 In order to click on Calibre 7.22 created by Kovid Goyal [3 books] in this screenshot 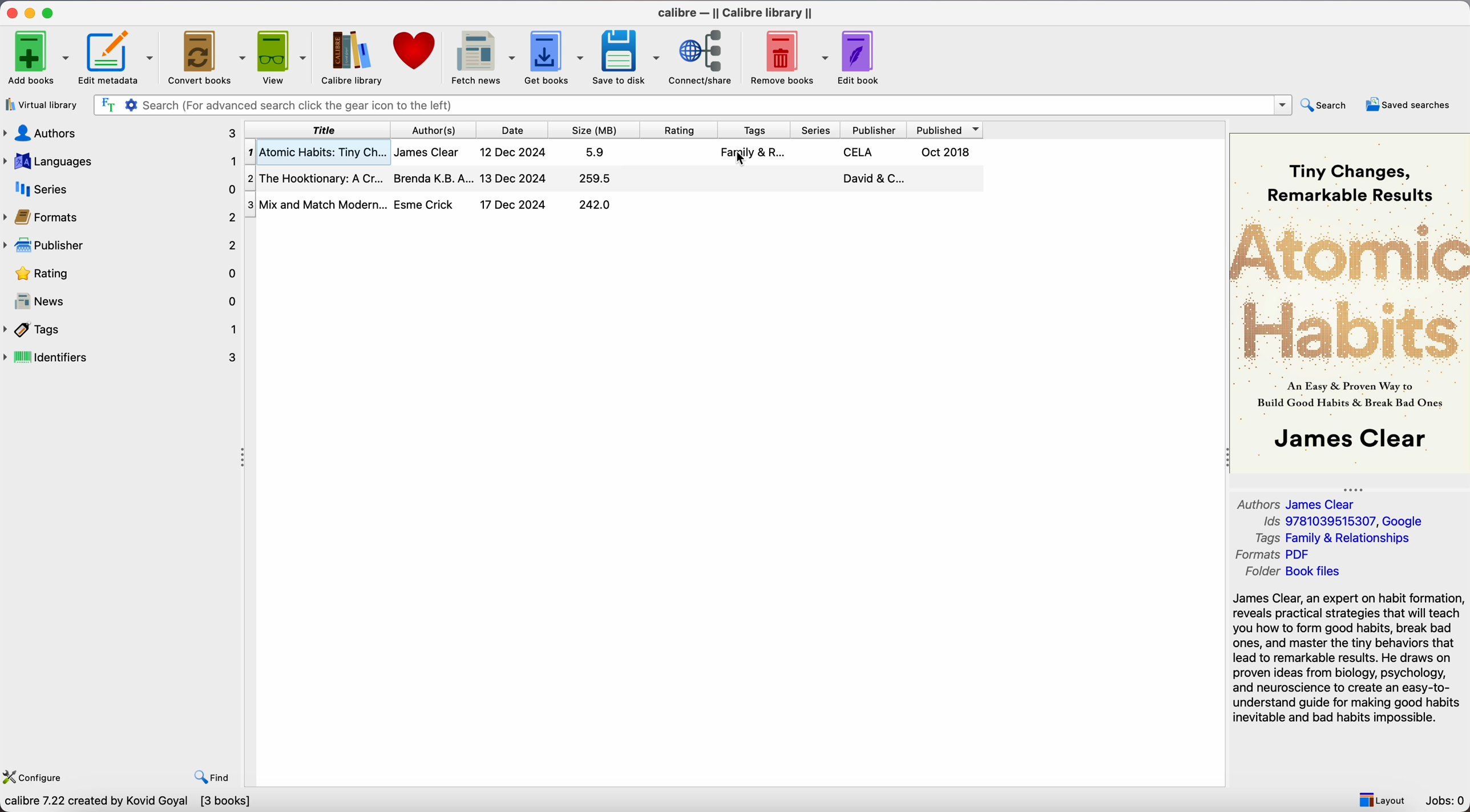, I will do `click(127, 803)`.